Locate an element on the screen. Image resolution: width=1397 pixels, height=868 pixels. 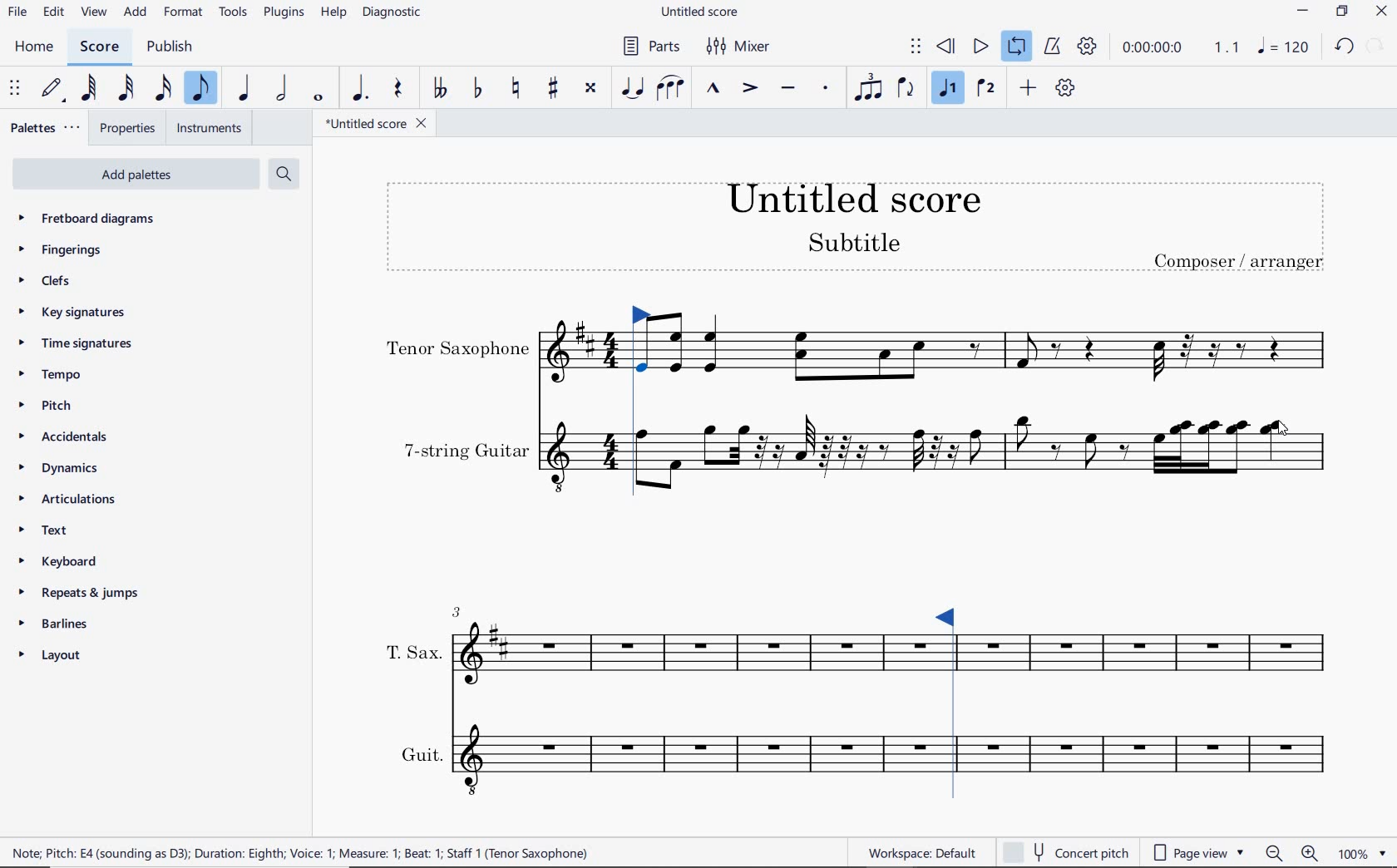
SCORE is located at coordinates (97, 47).